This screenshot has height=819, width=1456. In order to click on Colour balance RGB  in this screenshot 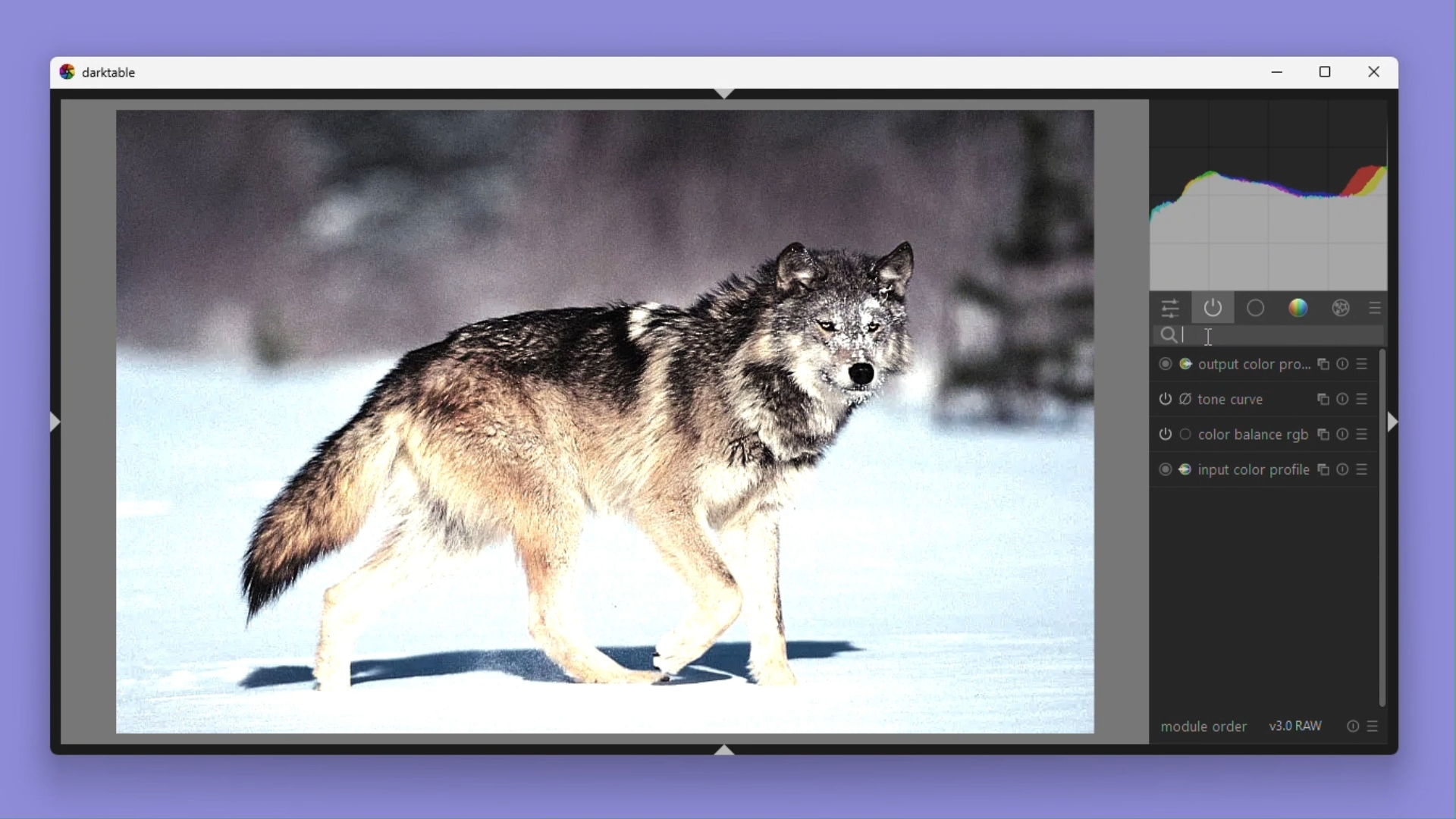, I will do `click(1230, 434)`.